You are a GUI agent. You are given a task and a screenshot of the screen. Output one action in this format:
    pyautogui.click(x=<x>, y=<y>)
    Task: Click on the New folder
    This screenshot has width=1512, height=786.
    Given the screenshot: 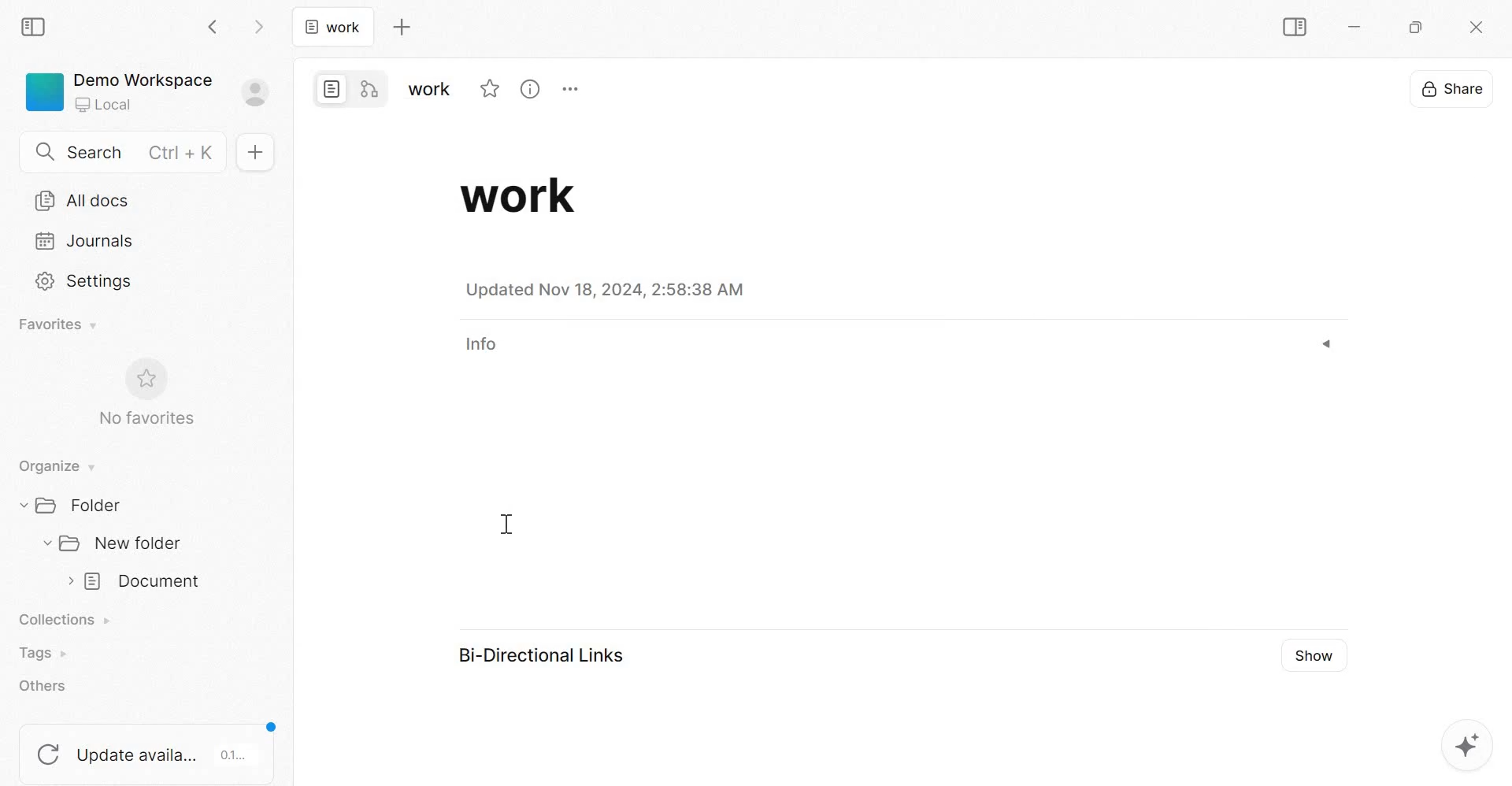 What is the action you would take?
    pyautogui.click(x=113, y=544)
    